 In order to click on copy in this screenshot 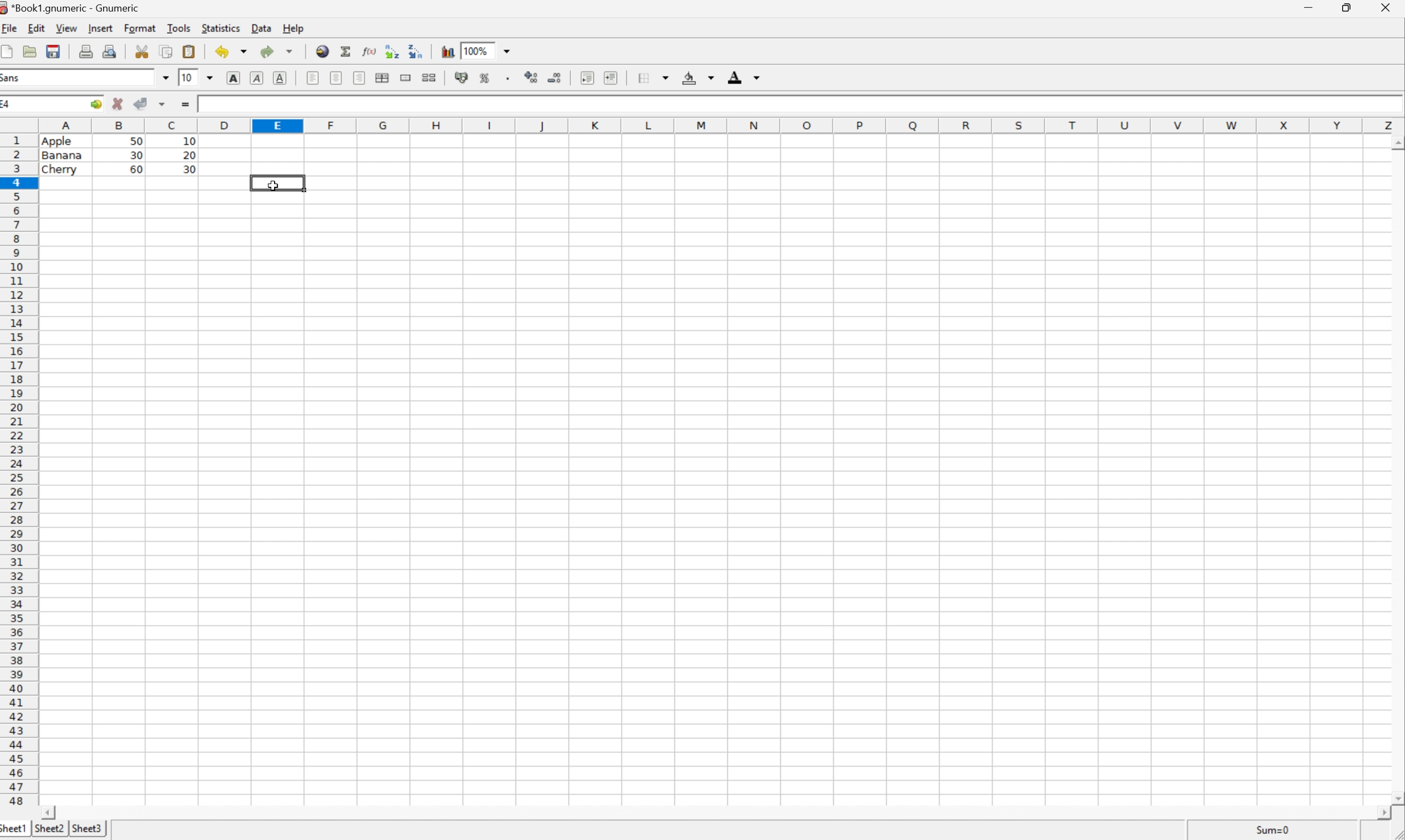, I will do `click(166, 51)`.